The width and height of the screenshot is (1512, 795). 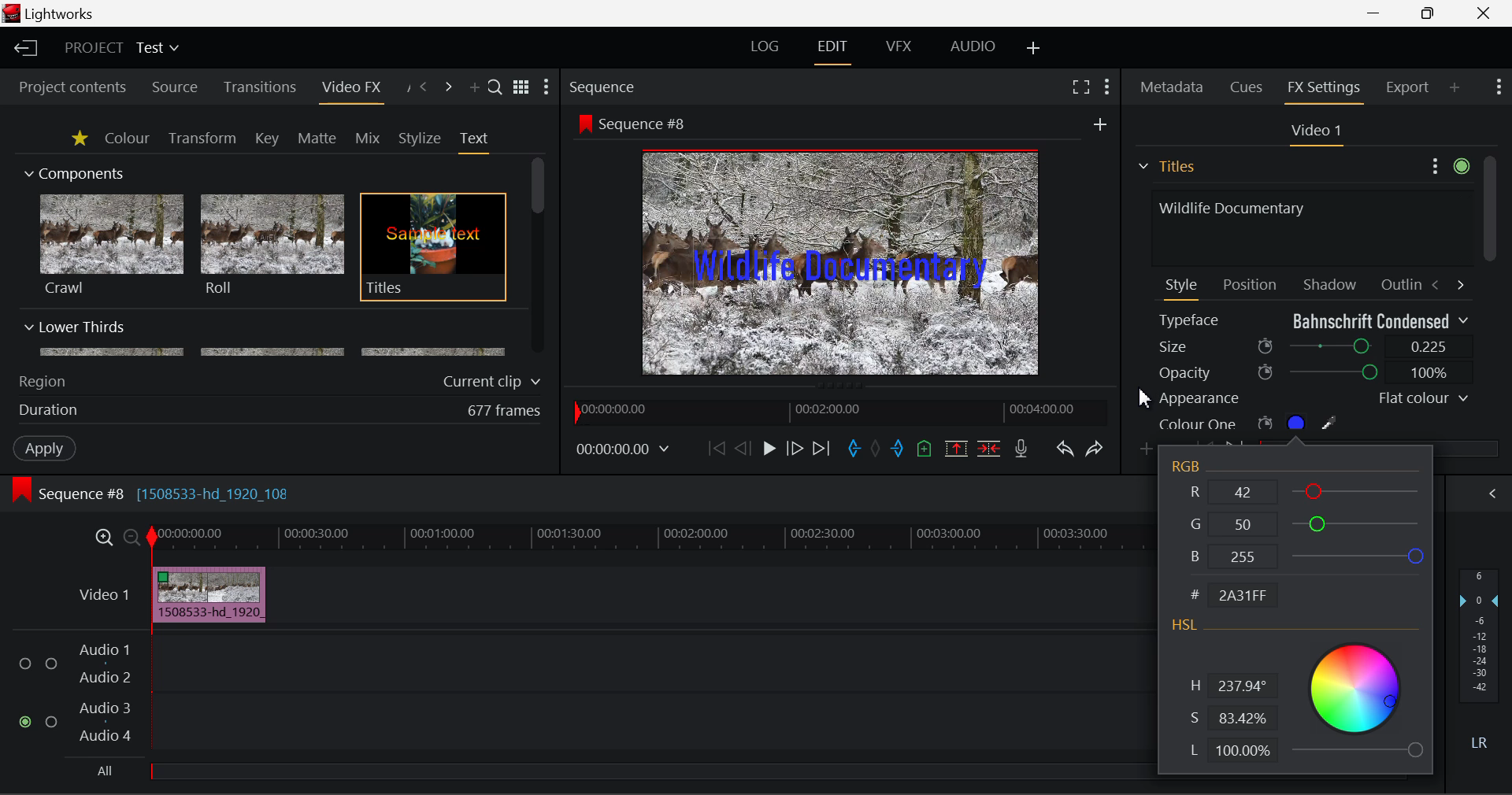 What do you see at coordinates (367, 139) in the screenshot?
I see `Mix` at bounding box center [367, 139].